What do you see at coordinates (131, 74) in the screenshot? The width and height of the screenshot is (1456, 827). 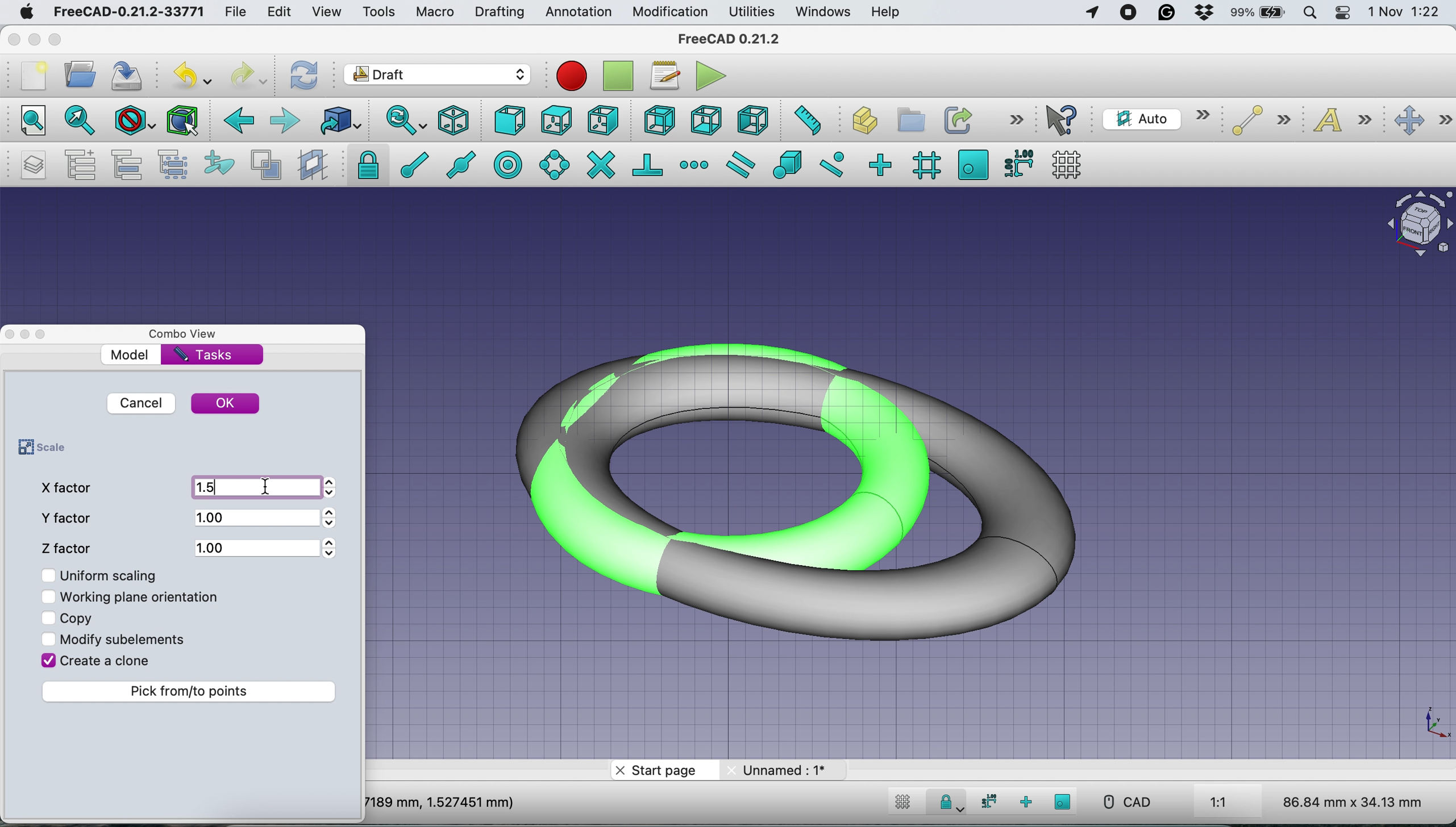 I see `save` at bounding box center [131, 74].